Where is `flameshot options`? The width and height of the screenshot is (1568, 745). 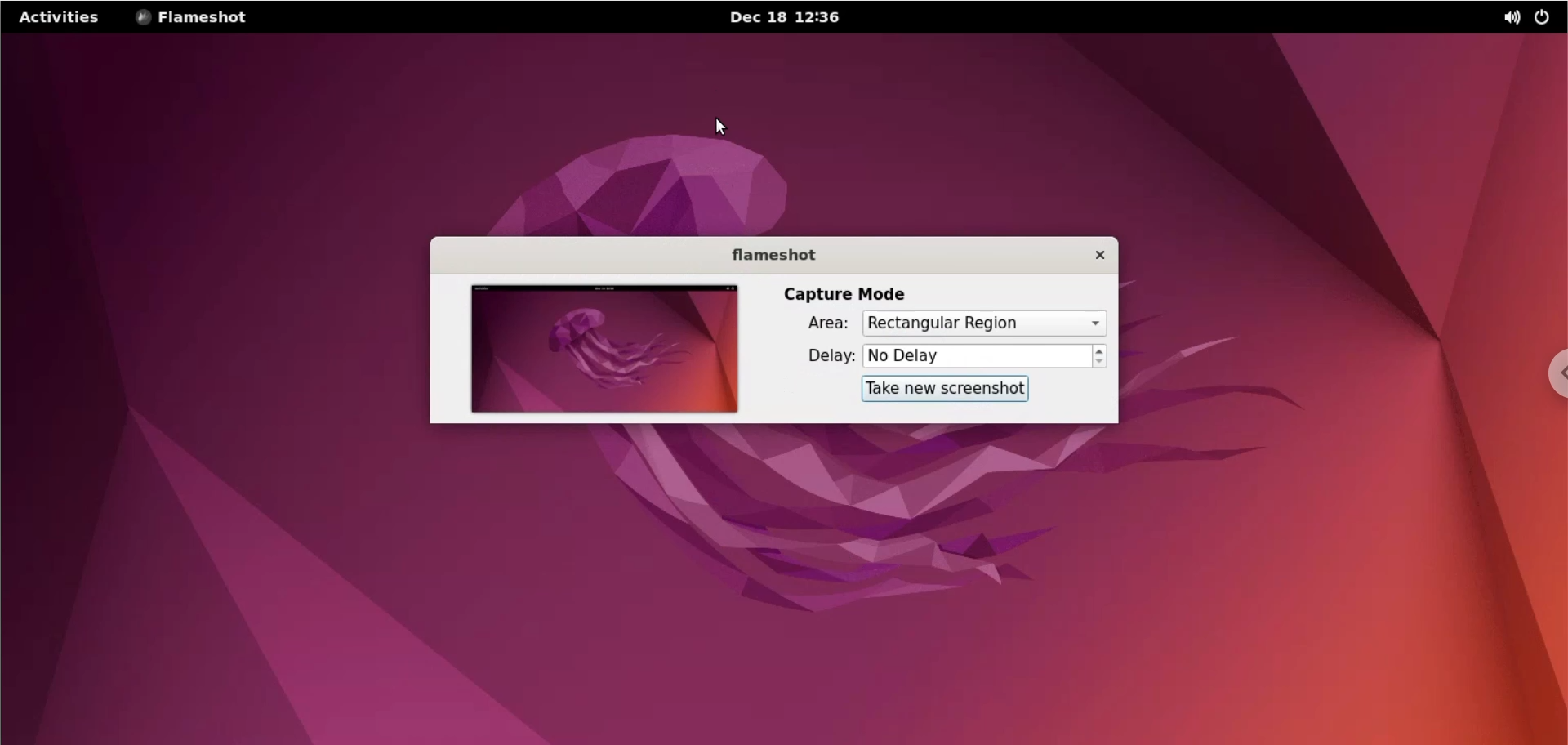 flameshot options is located at coordinates (192, 18).